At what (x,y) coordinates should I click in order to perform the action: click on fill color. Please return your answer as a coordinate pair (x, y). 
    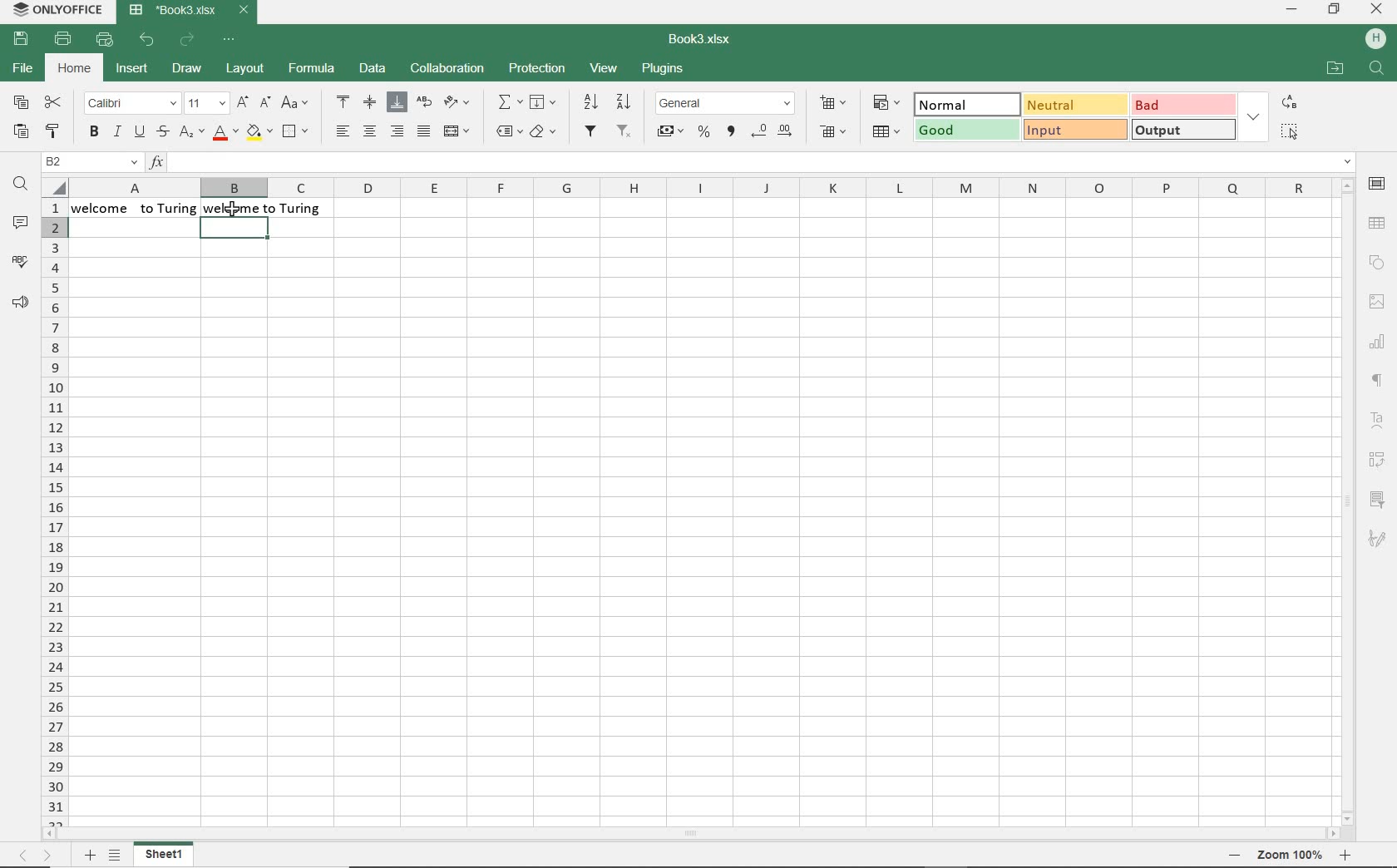
    Looking at the image, I should click on (259, 134).